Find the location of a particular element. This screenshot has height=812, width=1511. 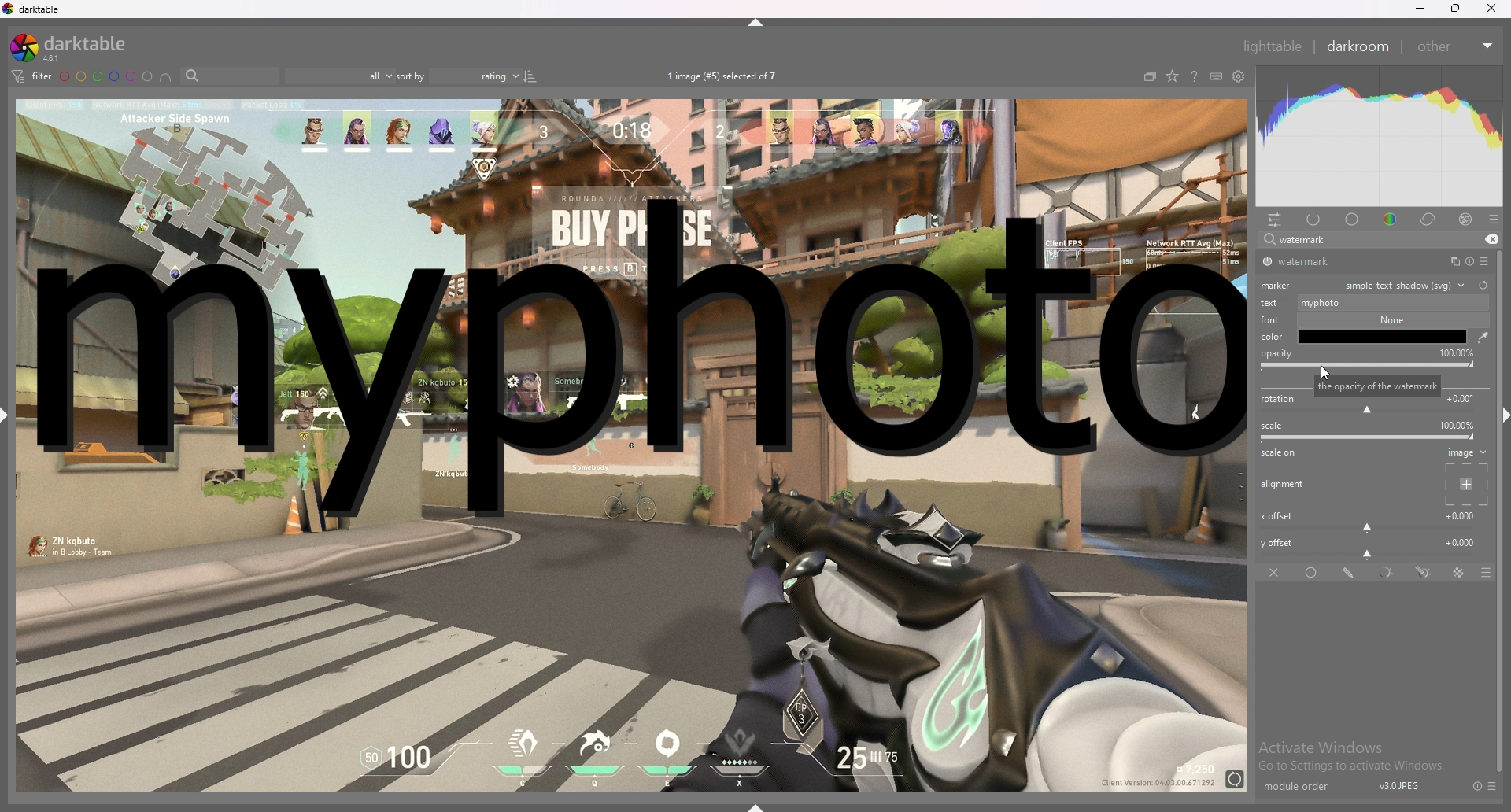

lighttable is located at coordinates (1272, 46).